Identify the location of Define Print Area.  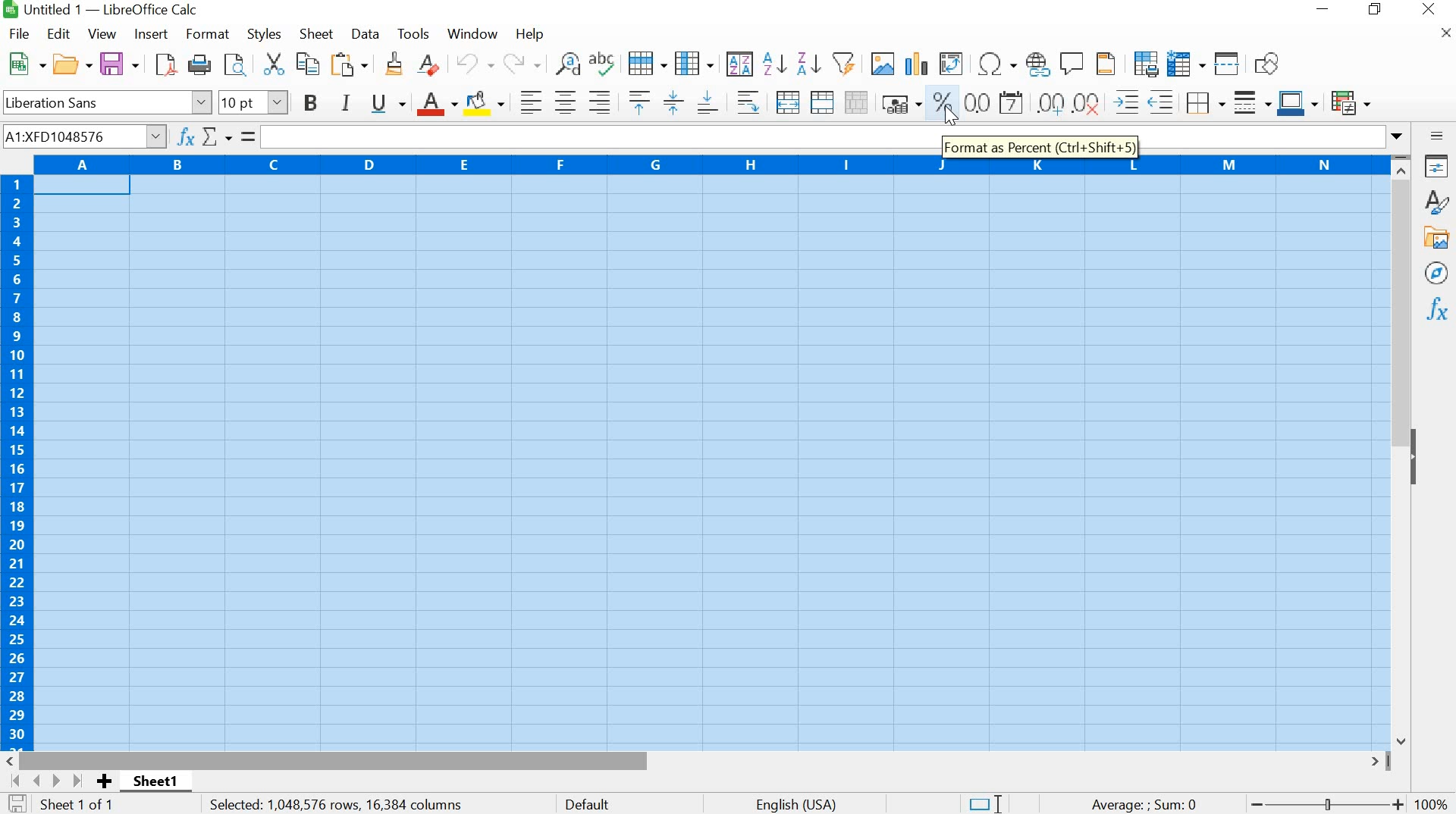
(1145, 64).